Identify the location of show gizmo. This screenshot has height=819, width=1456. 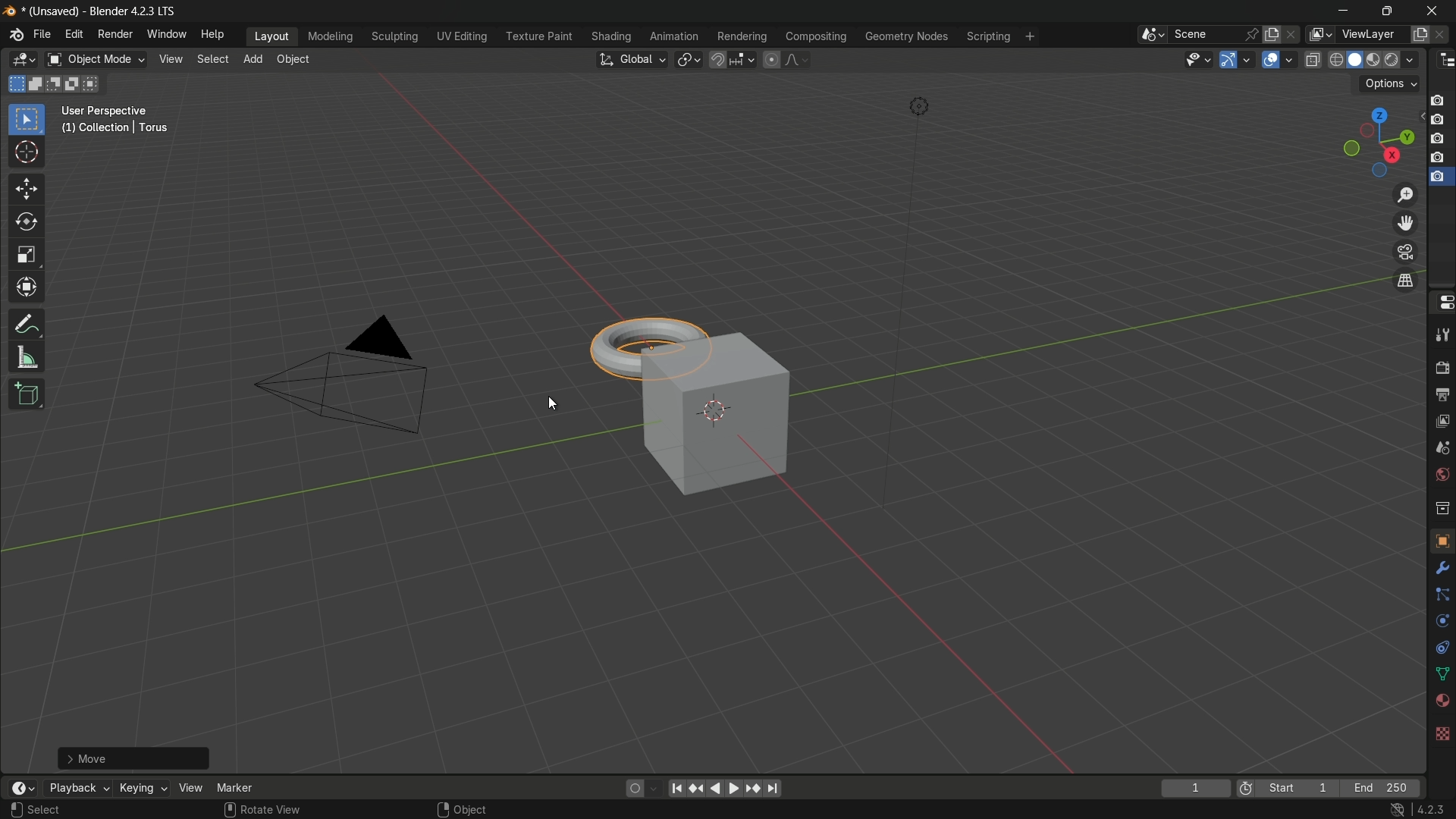
(1228, 60).